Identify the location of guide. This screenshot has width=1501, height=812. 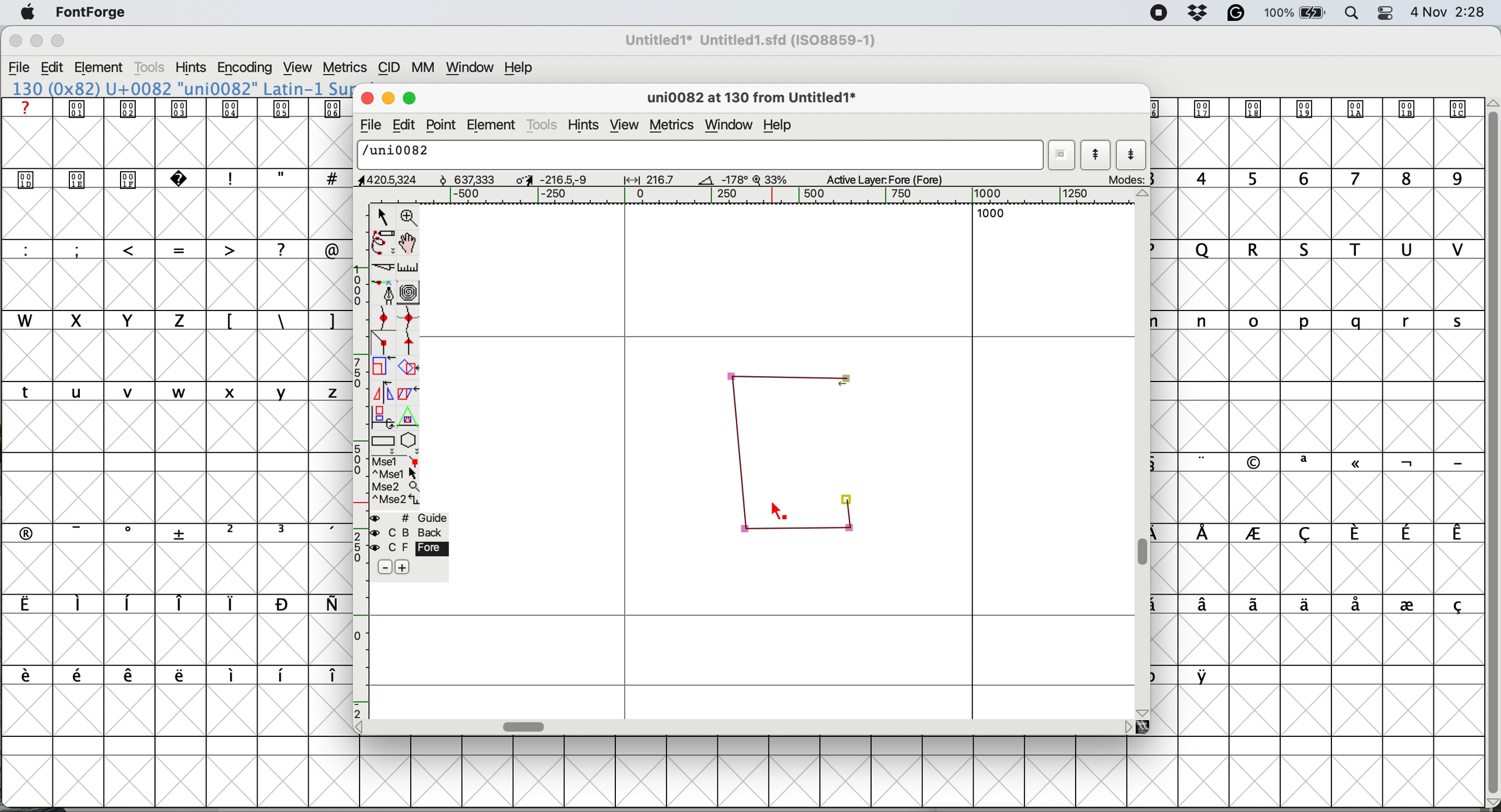
(410, 518).